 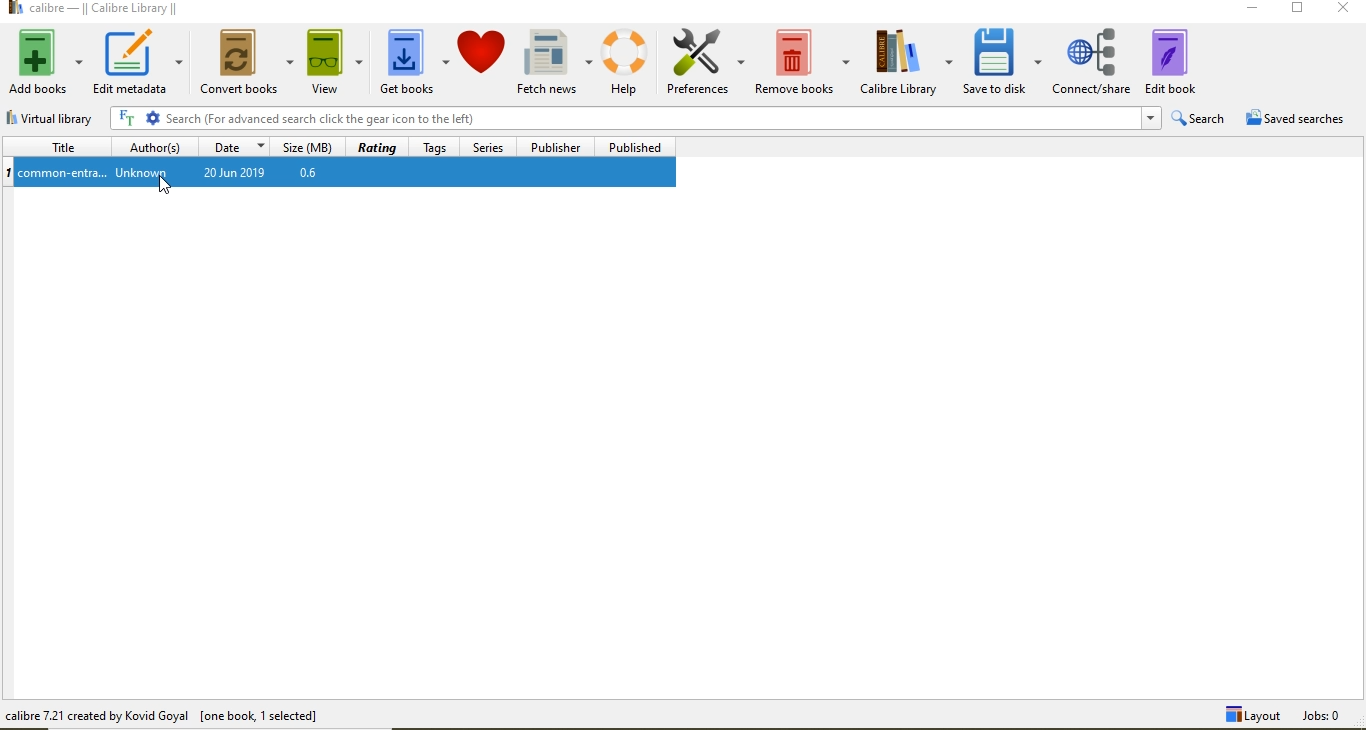 I want to click on title, so click(x=58, y=147).